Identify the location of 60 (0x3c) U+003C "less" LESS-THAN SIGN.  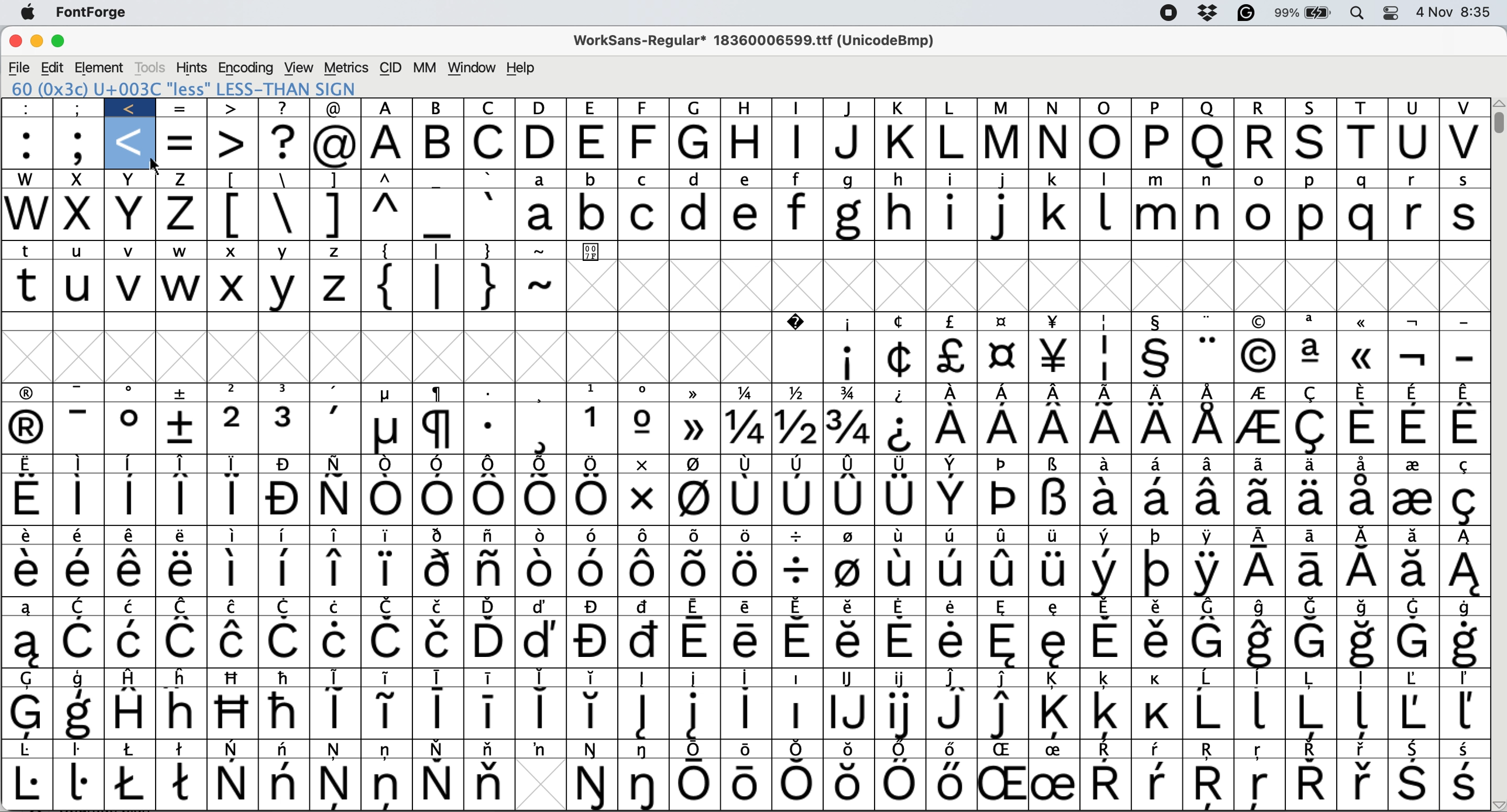
(194, 88).